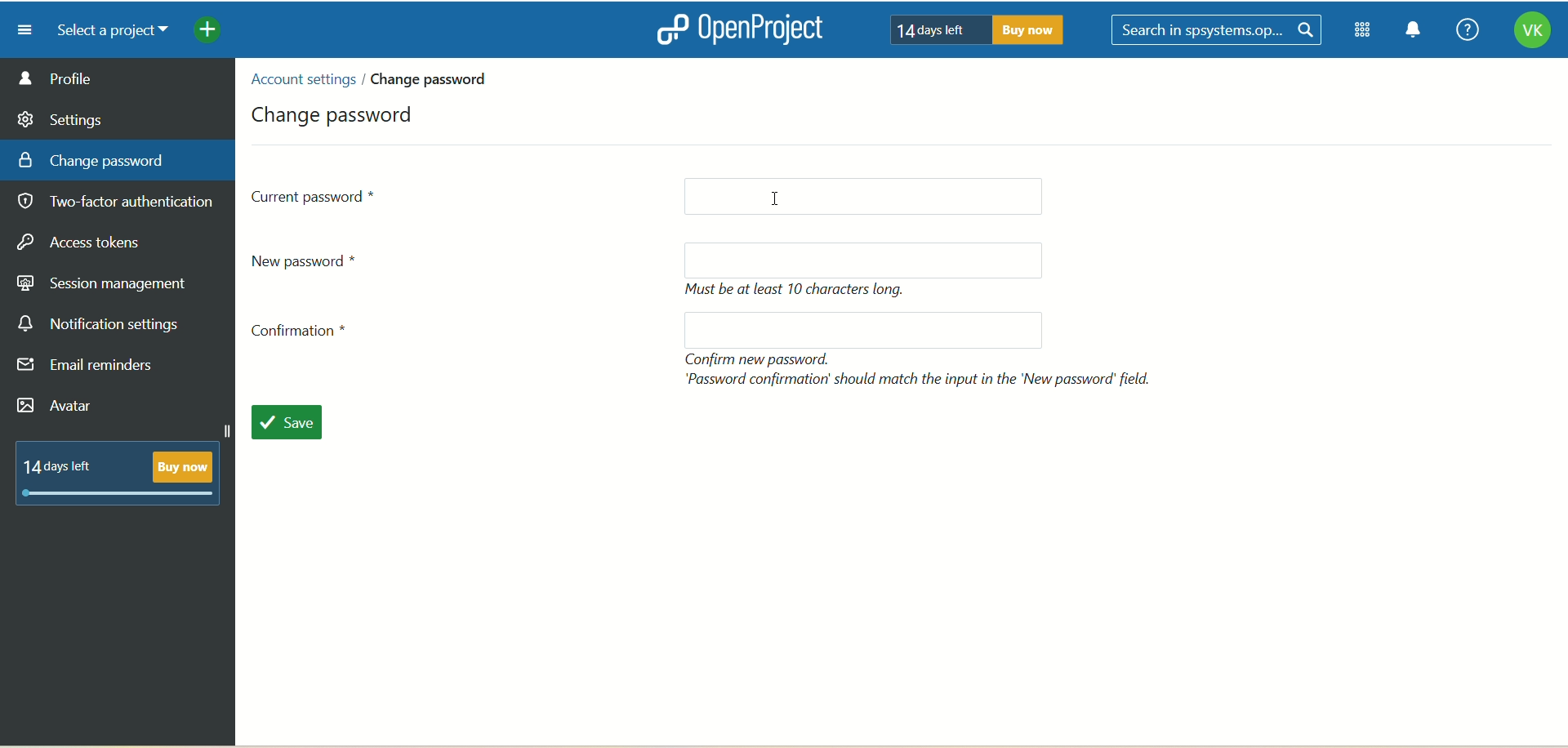 Image resolution: width=1568 pixels, height=748 pixels. Describe the element at coordinates (871, 259) in the screenshot. I see `blank space` at that location.